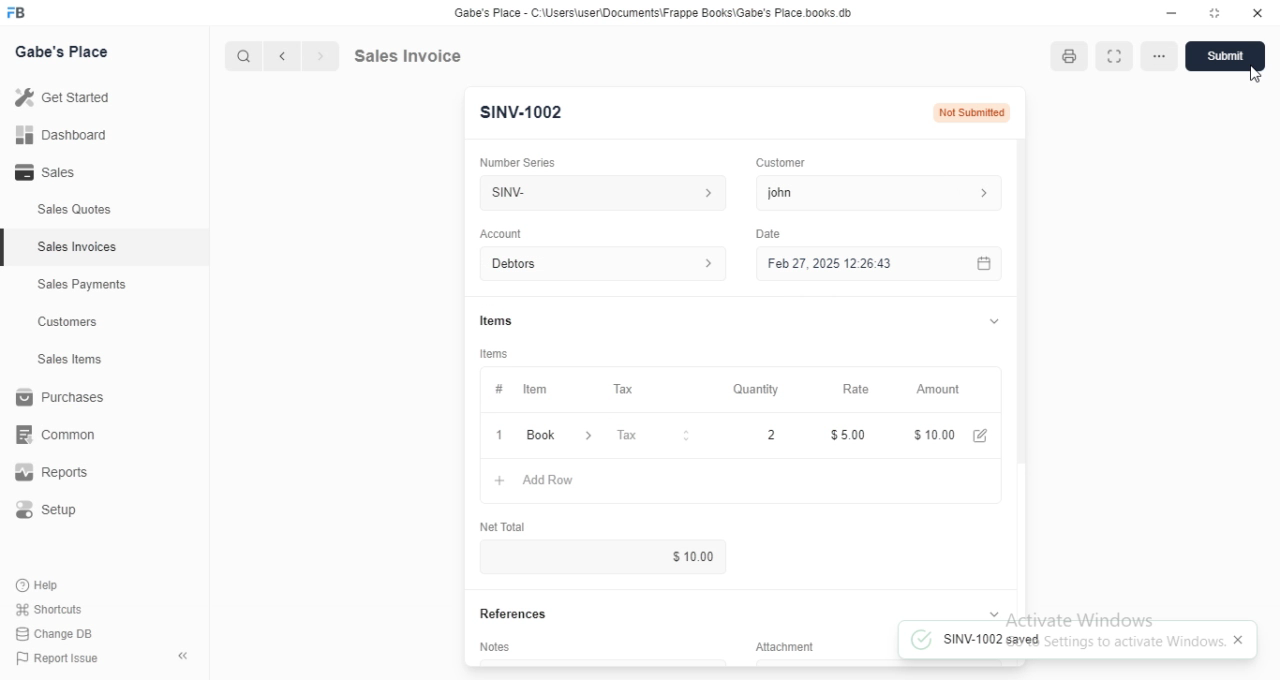  Describe the element at coordinates (59, 397) in the screenshot. I see `Purchases` at that location.